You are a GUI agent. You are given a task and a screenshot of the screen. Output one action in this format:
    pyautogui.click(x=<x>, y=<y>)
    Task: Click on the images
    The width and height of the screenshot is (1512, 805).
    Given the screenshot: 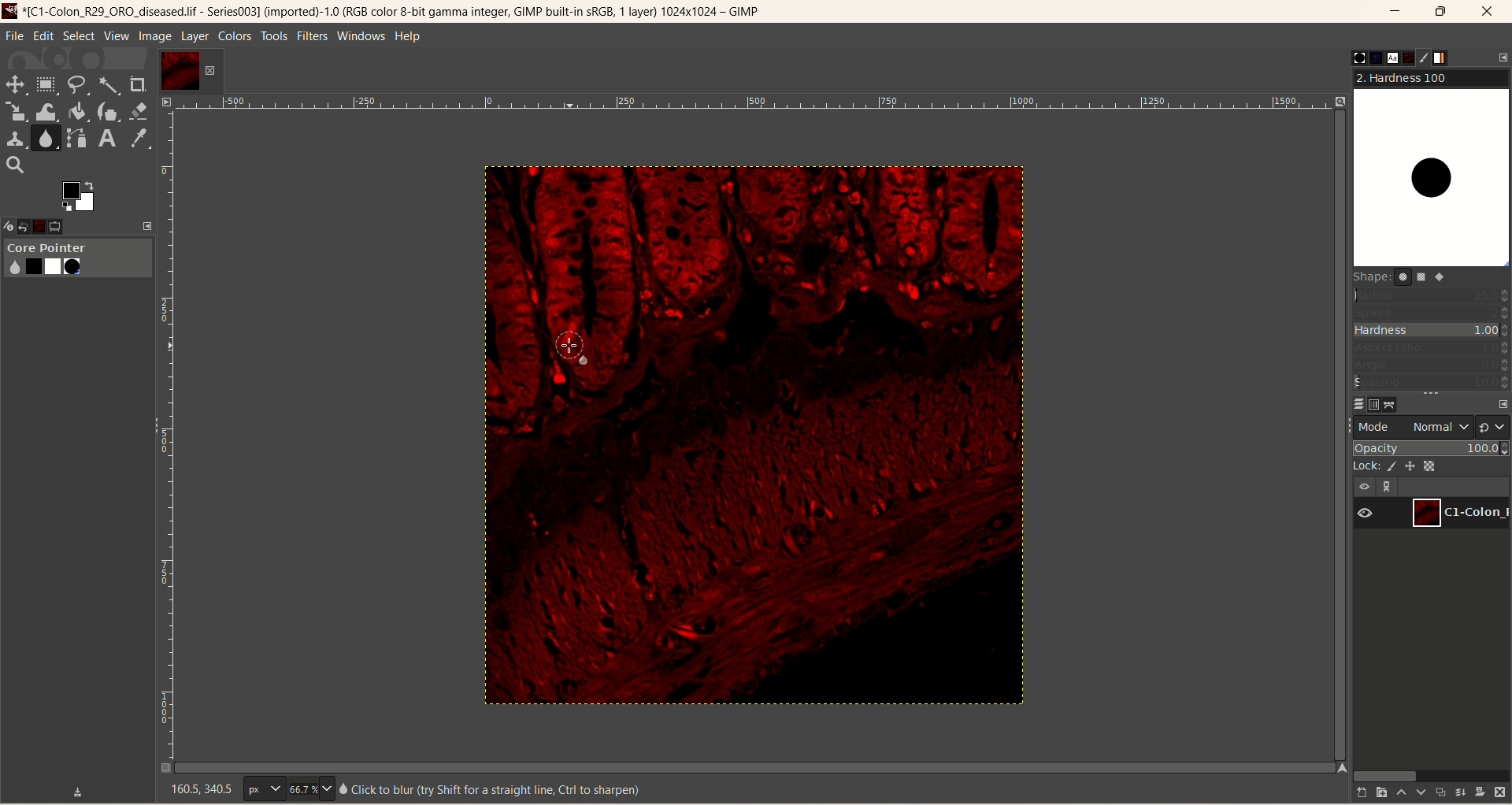 What is the action you would take?
    pyautogui.click(x=50, y=224)
    